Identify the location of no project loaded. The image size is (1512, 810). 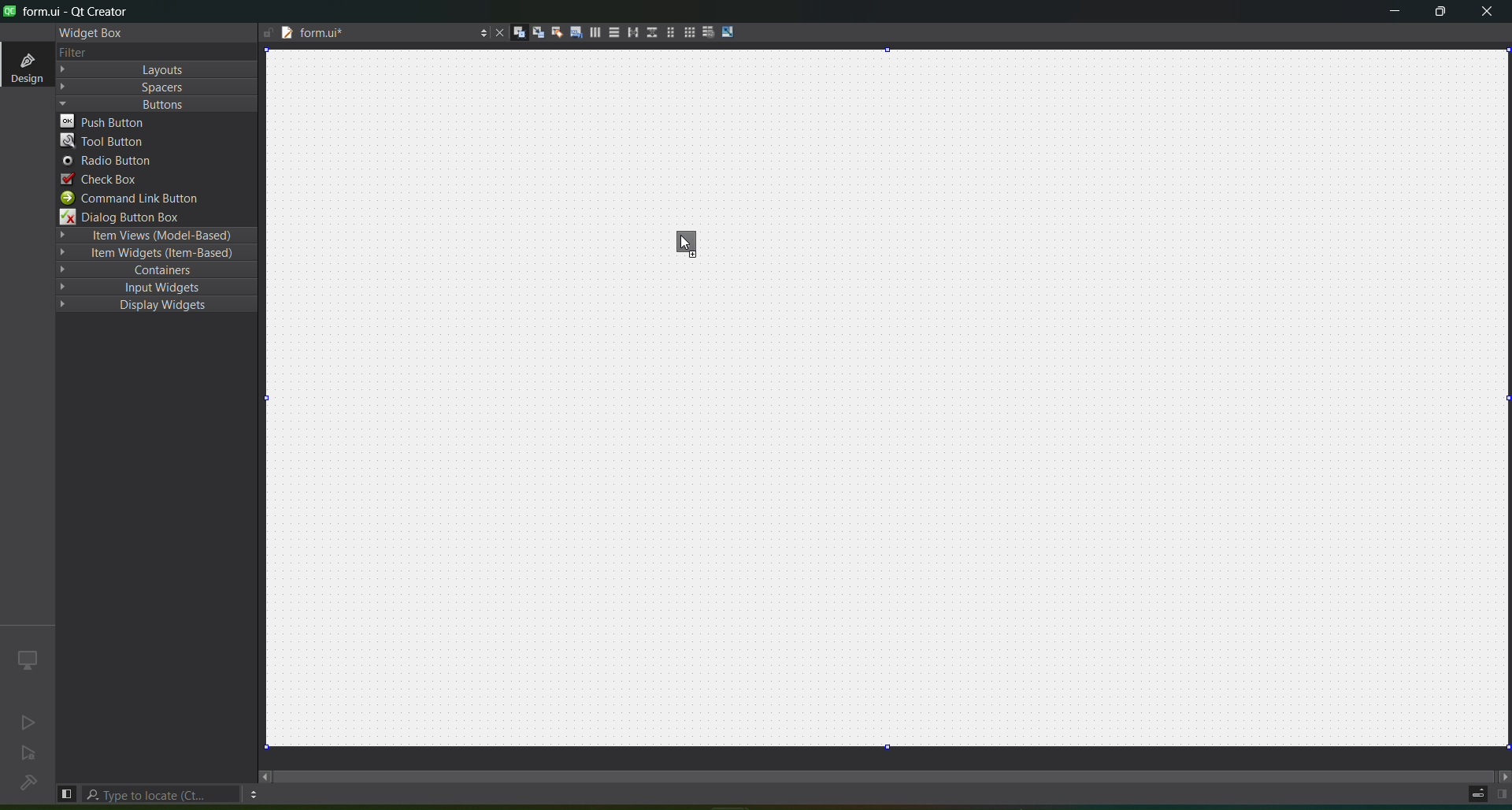
(30, 782).